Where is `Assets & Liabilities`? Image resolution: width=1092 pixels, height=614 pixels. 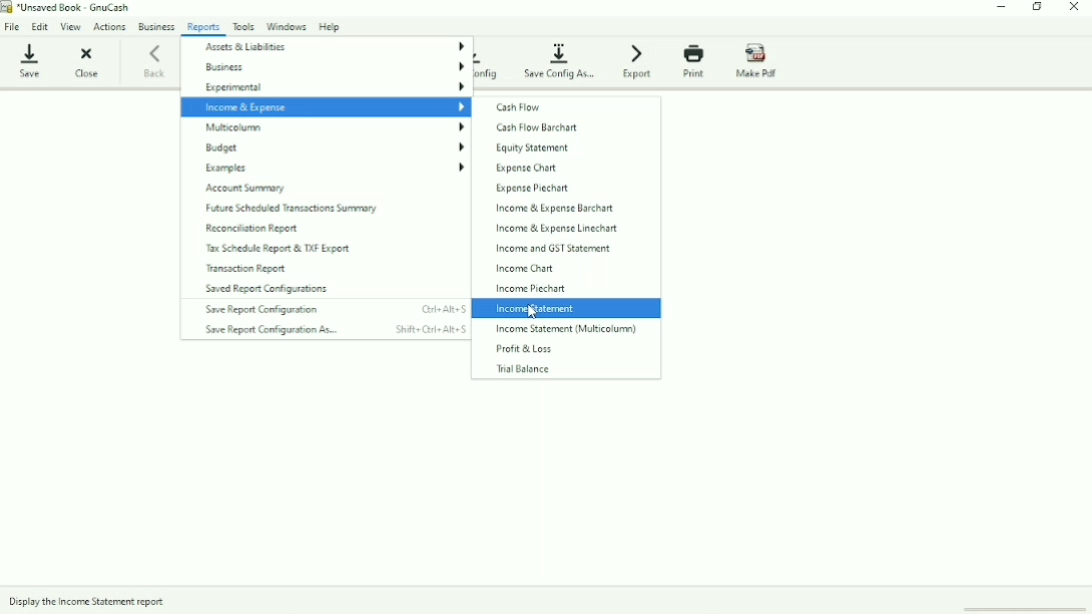 Assets & Liabilities is located at coordinates (334, 47).